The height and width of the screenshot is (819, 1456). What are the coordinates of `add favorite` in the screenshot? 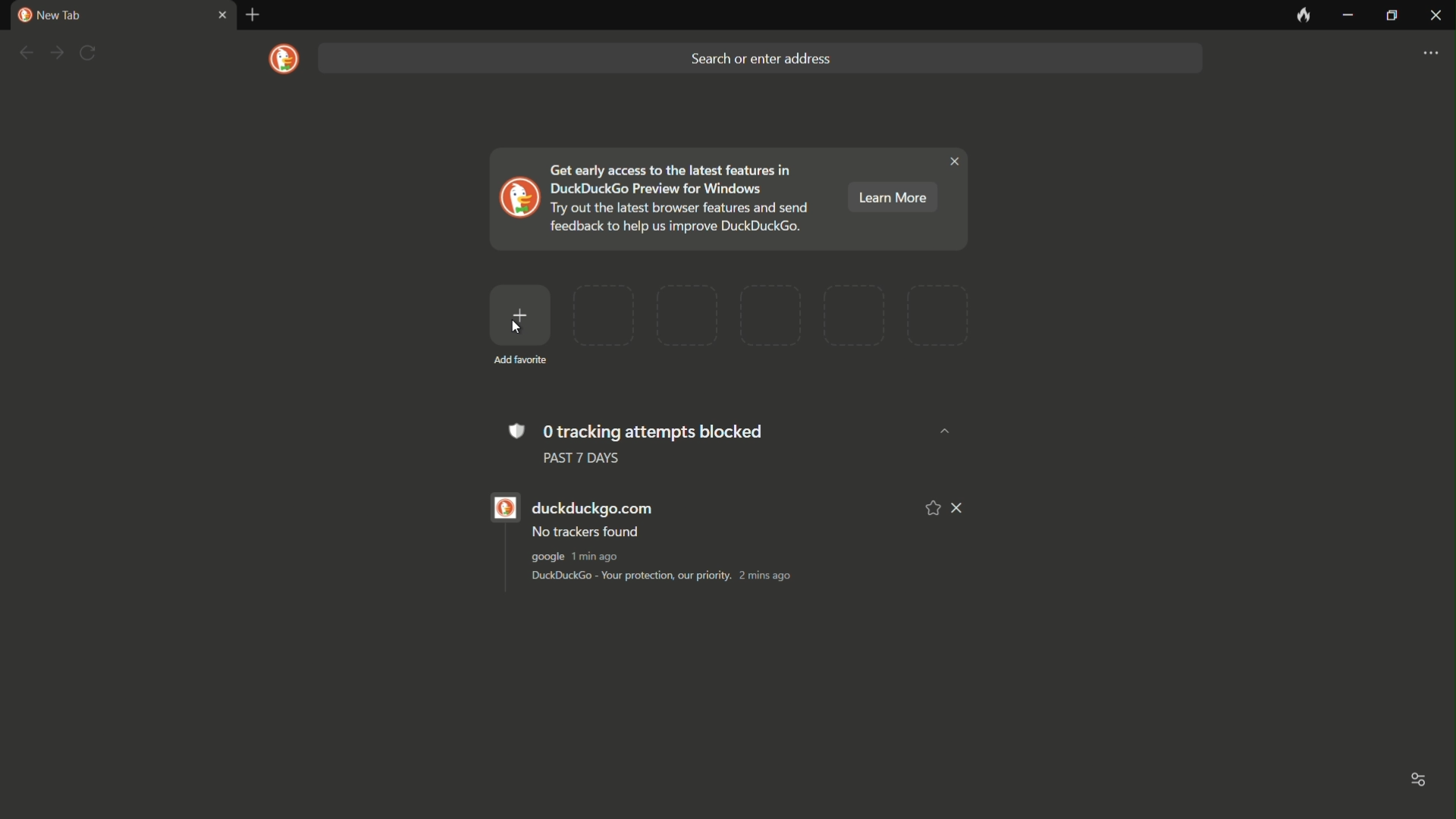 It's located at (522, 325).